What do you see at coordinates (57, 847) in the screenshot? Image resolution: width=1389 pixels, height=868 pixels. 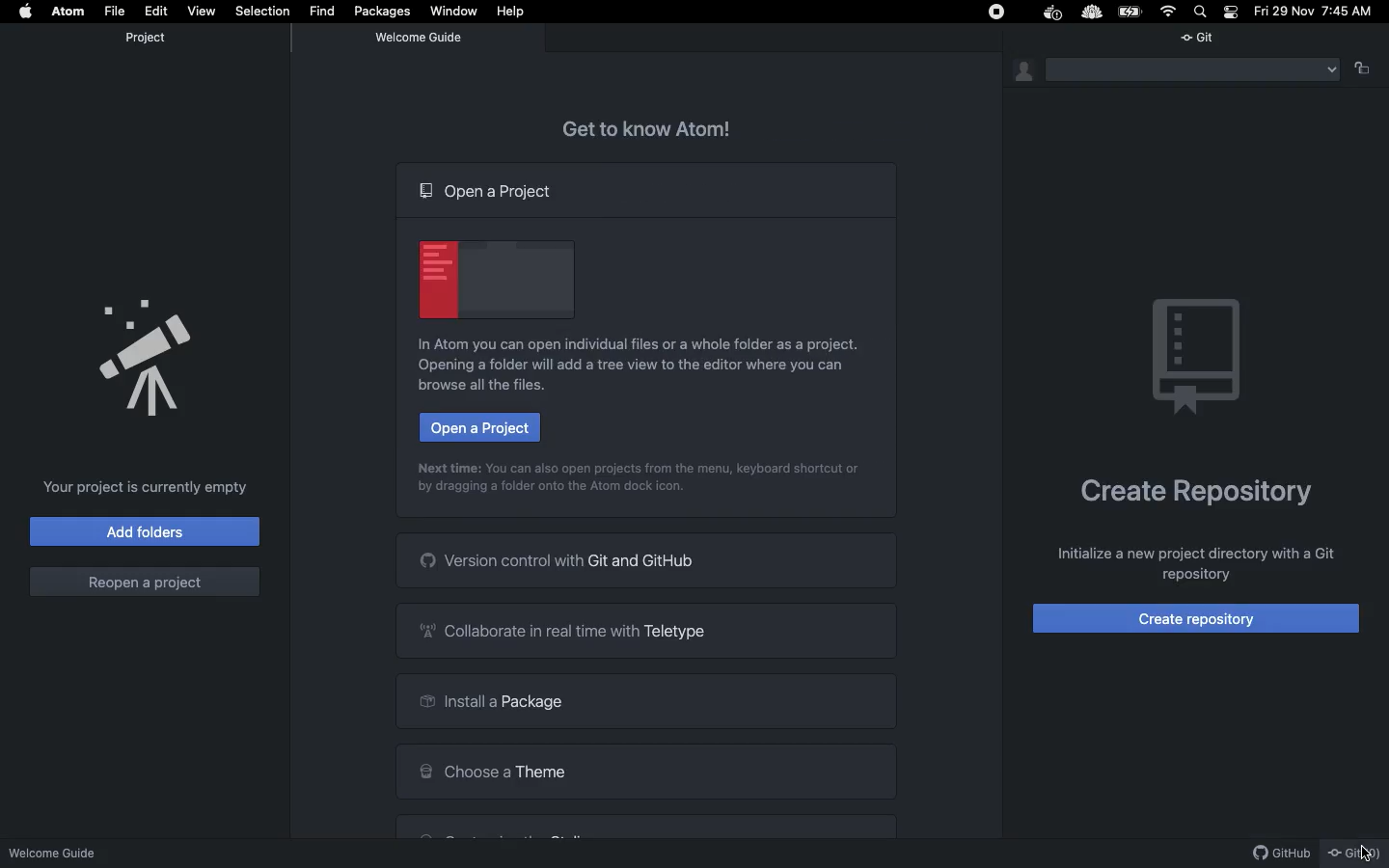 I see `Welcome guide` at bounding box center [57, 847].